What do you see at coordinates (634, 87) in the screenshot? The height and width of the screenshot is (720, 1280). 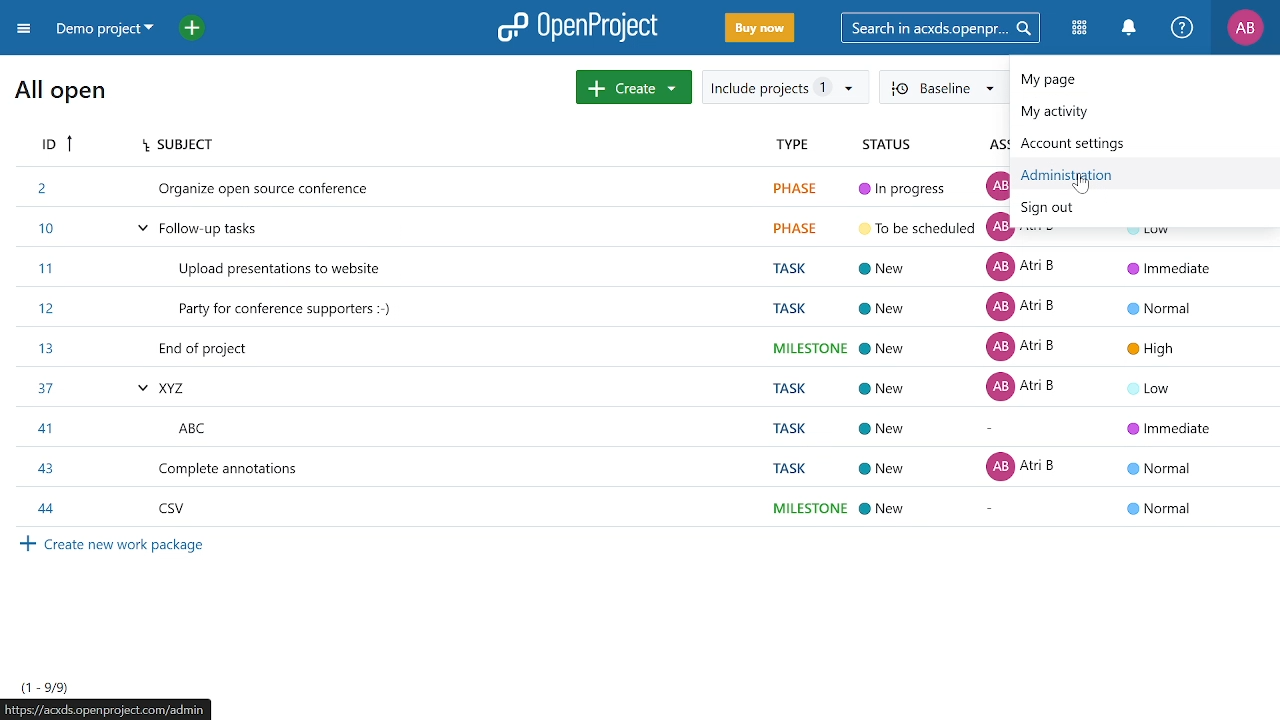 I see `Create` at bounding box center [634, 87].